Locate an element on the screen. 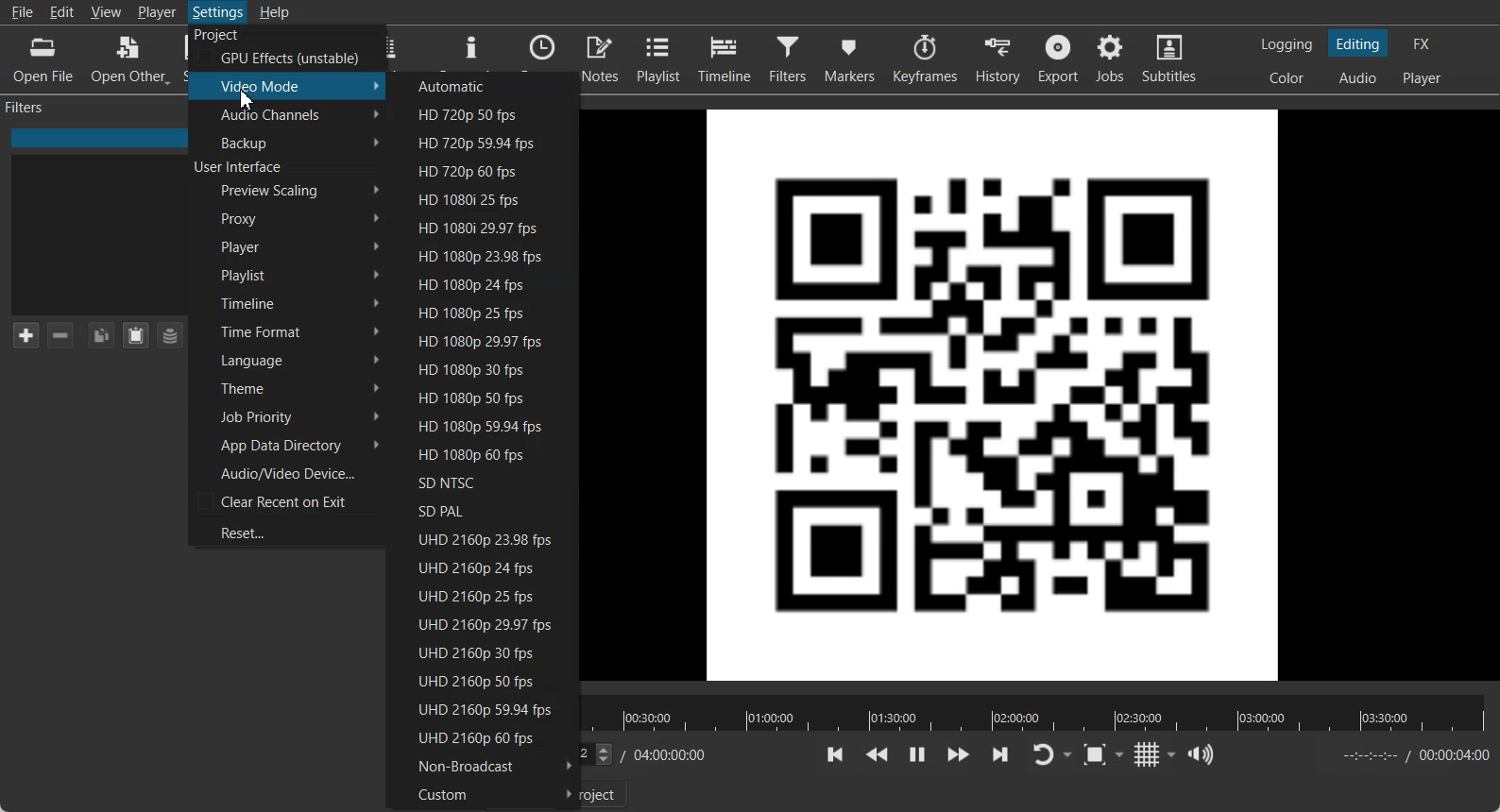 Image resolution: width=1500 pixels, height=812 pixels. Toggle zoom is located at coordinates (1103, 754).